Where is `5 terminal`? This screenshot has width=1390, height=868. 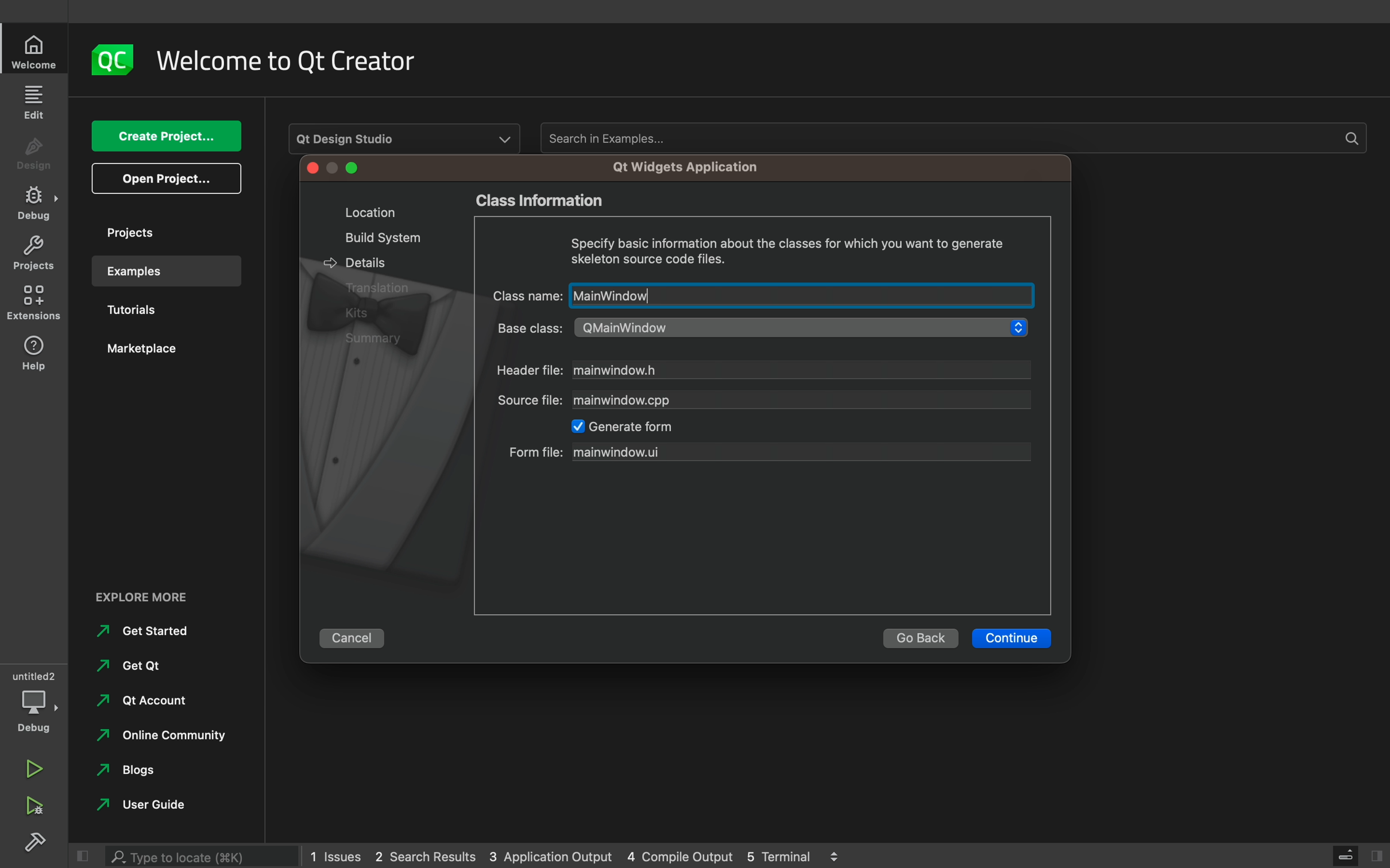 5 terminal is located at coordinates (784, 855).